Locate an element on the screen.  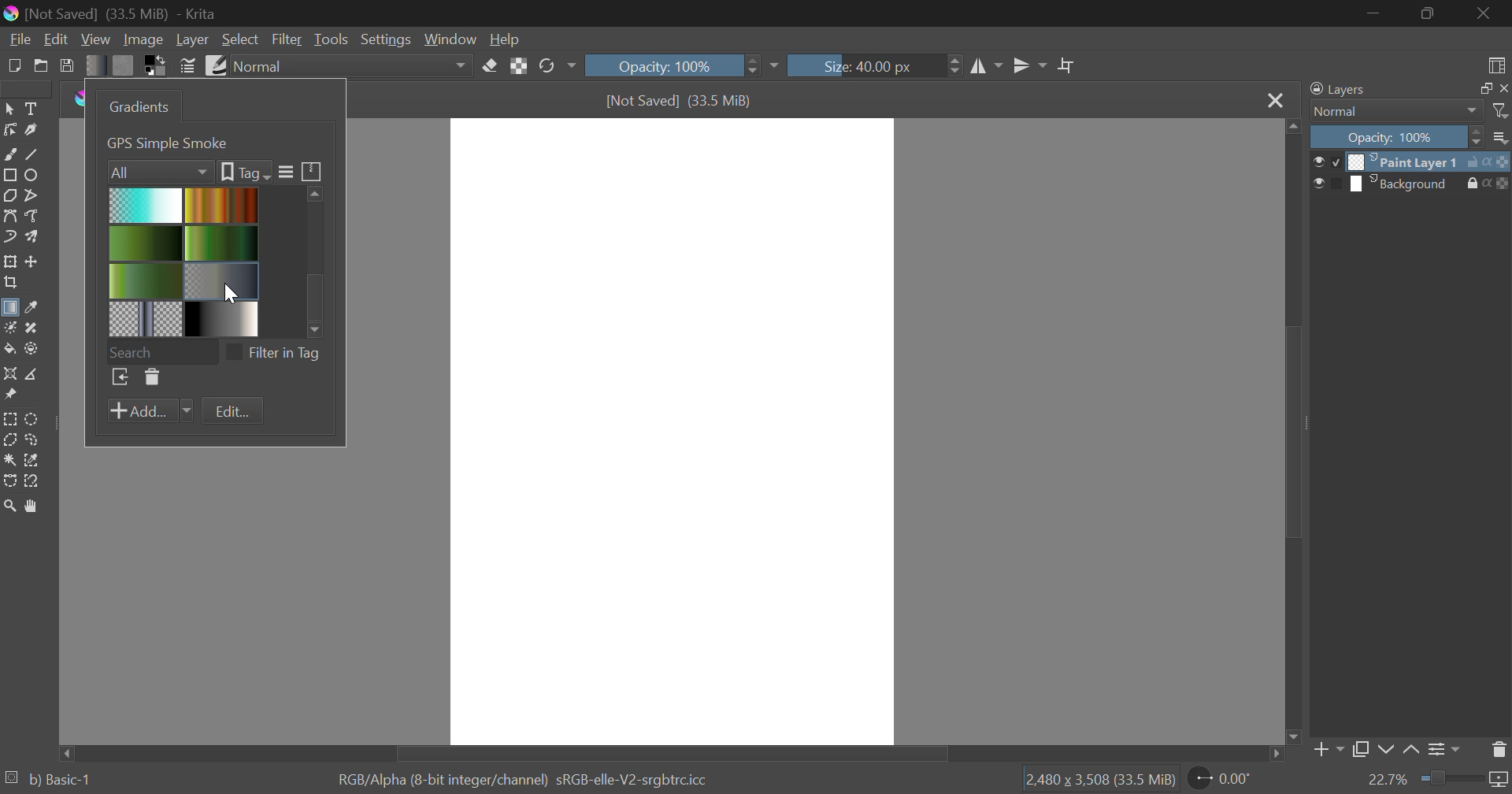
Opacity 100% is located at coordinates (1395, 137).